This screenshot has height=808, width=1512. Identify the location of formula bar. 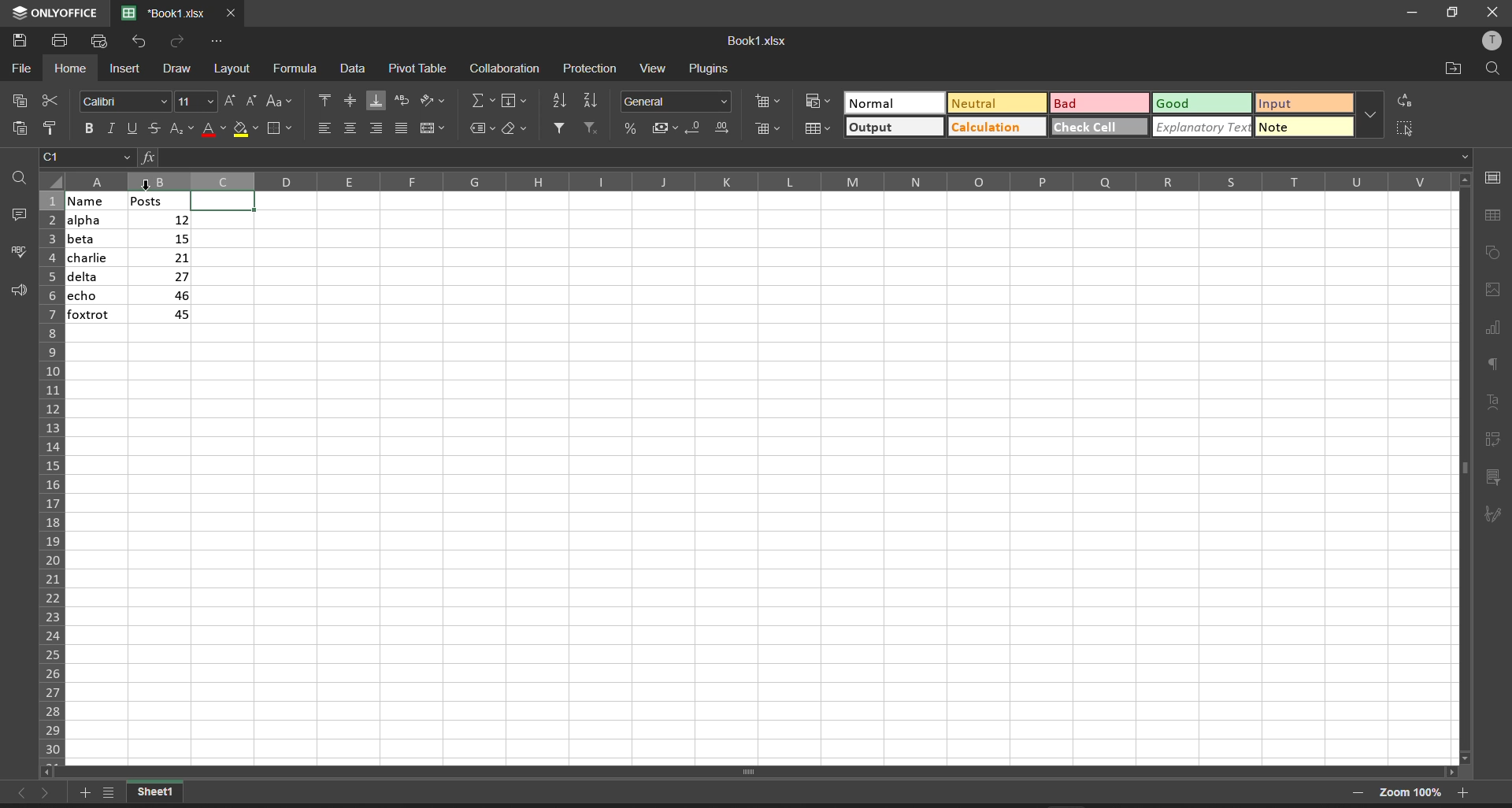
(818, 159).